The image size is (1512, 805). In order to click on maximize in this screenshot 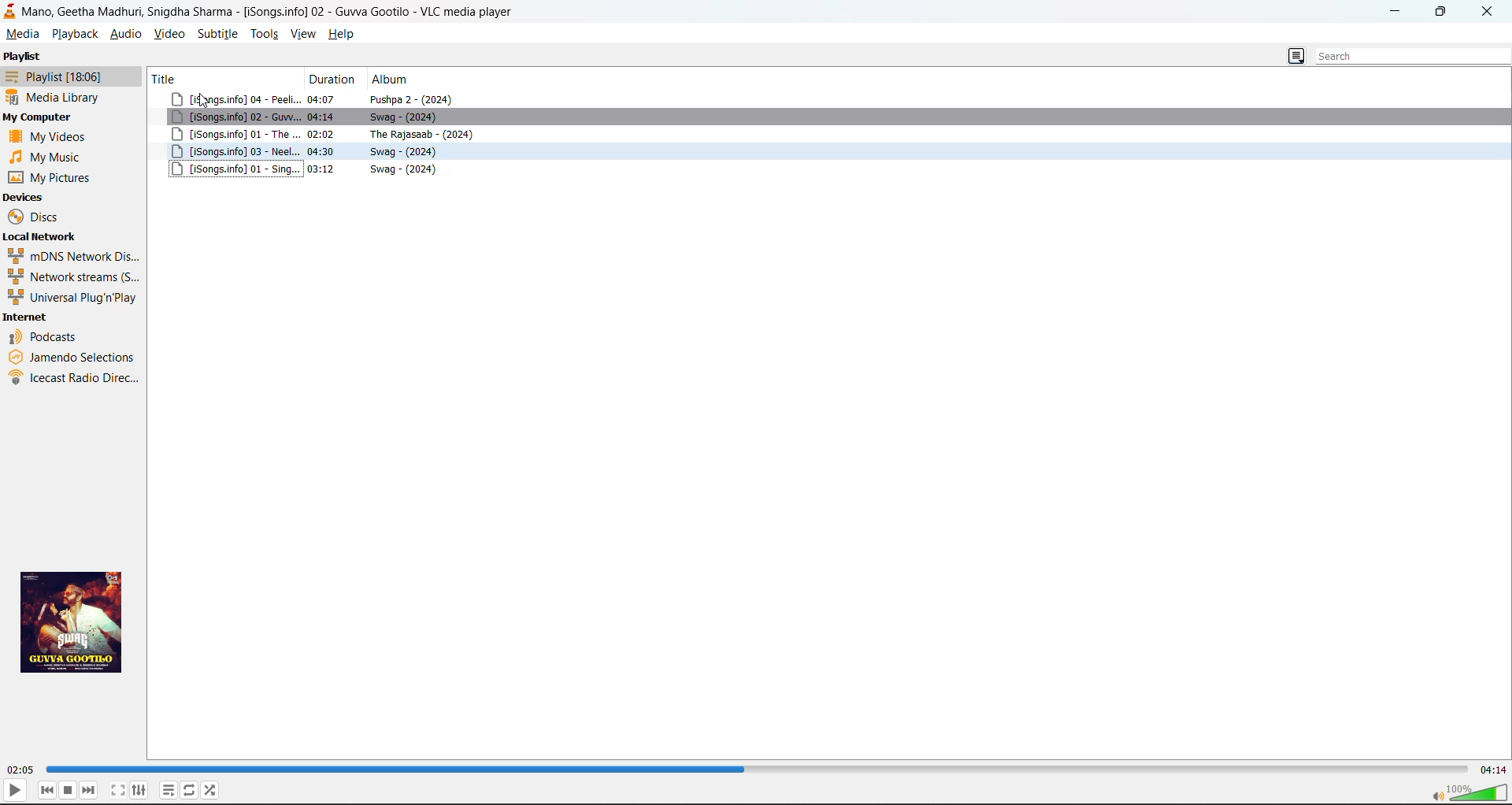, I will do `click(1443, 13)`.